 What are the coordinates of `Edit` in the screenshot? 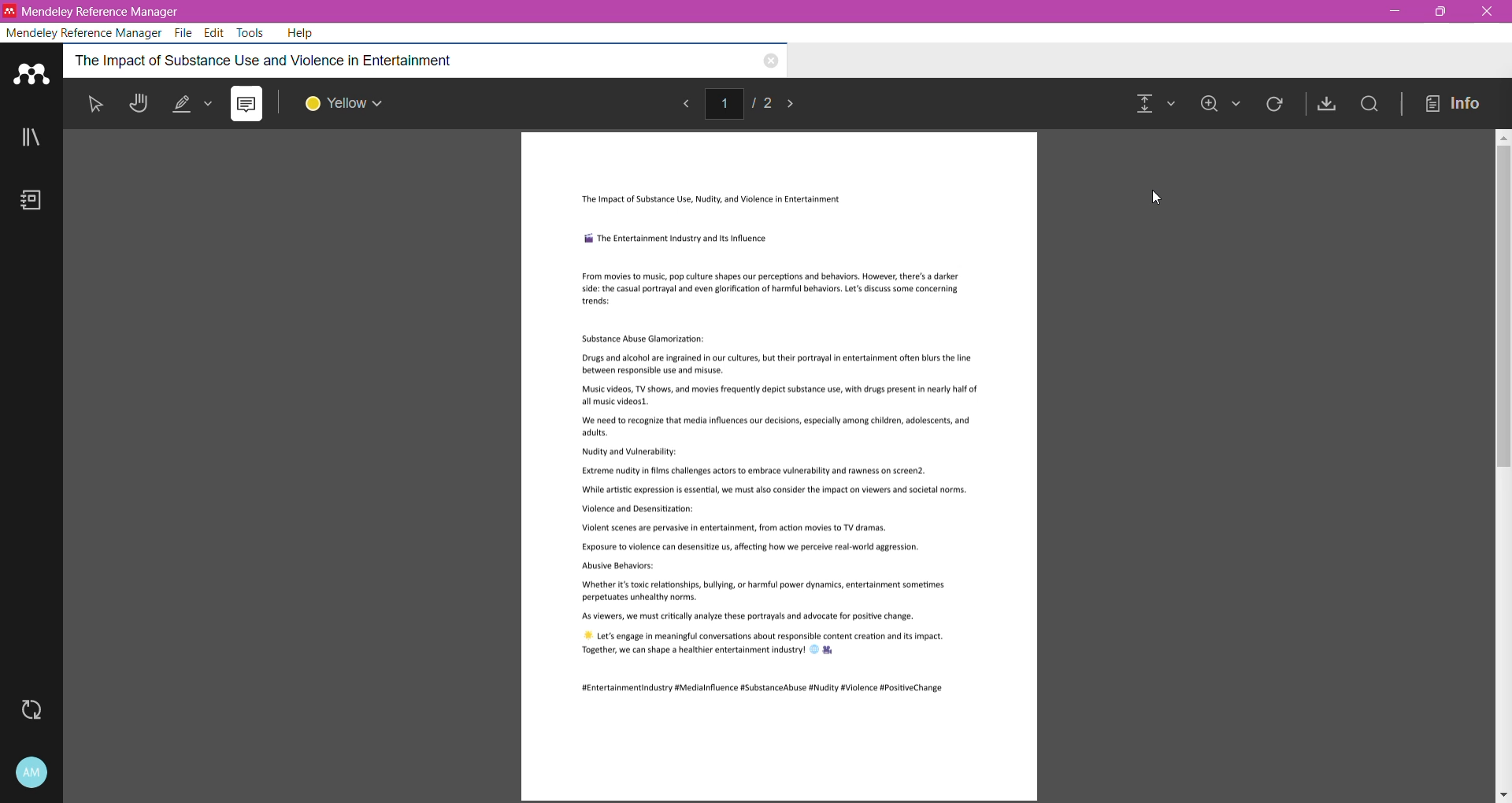 It's located at (215, 31).